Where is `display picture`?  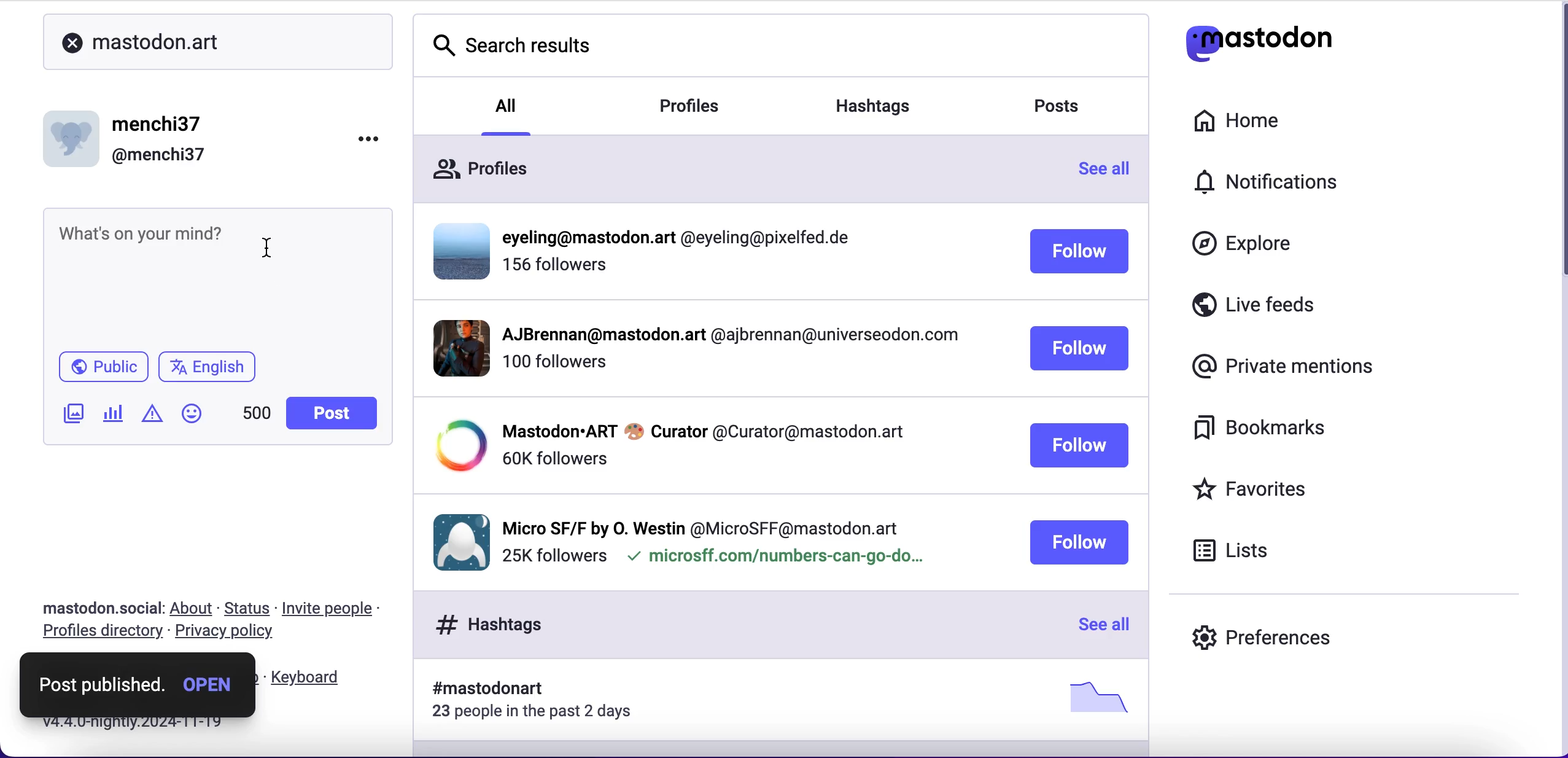 display picture is located at coordinates (451, 347).